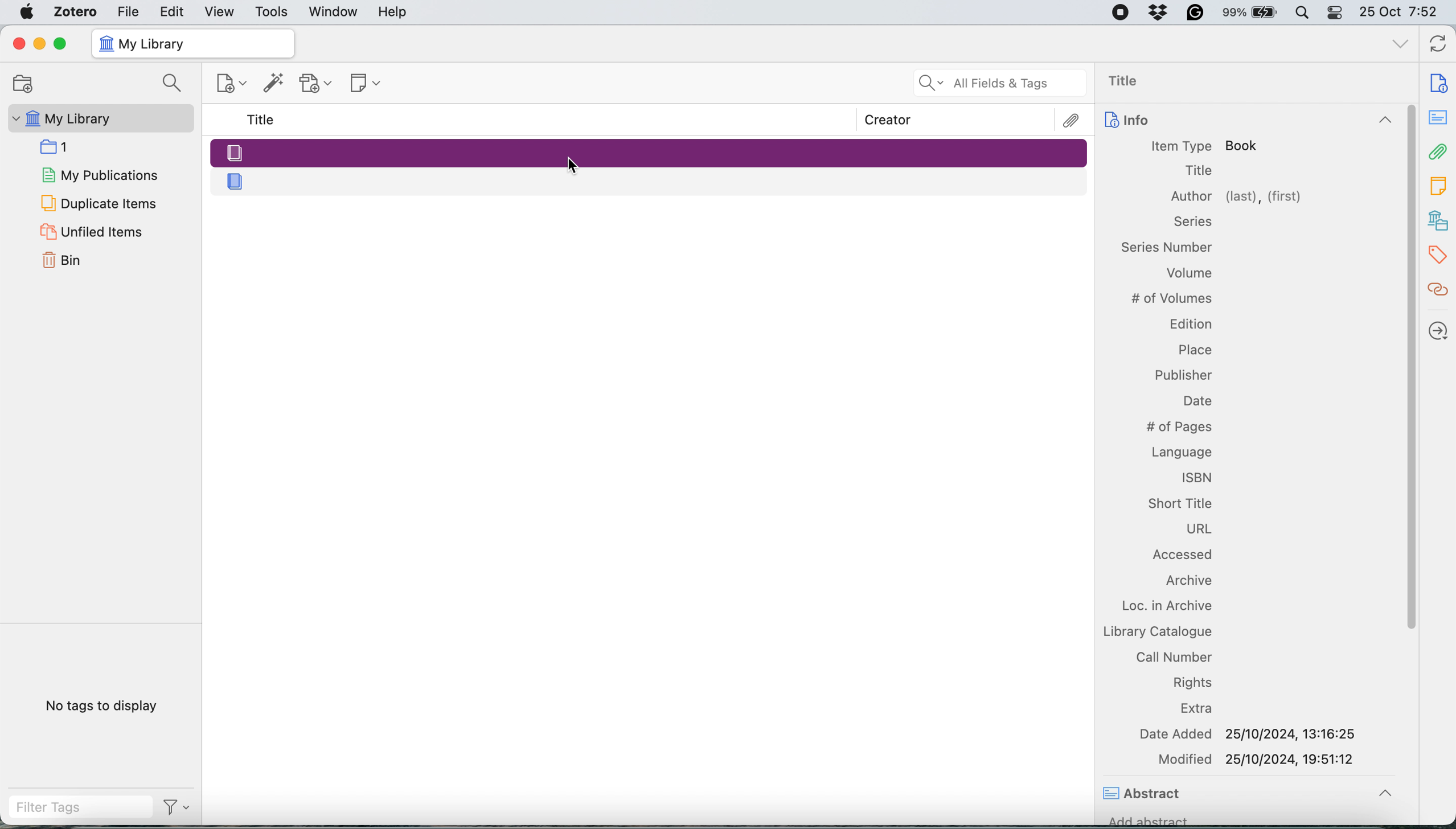 Image resolution: width=1456 pixels, height=829 pixels. Describe the element at coordinates (38, 44) in the screenshot. I see `Minimize` at that location.